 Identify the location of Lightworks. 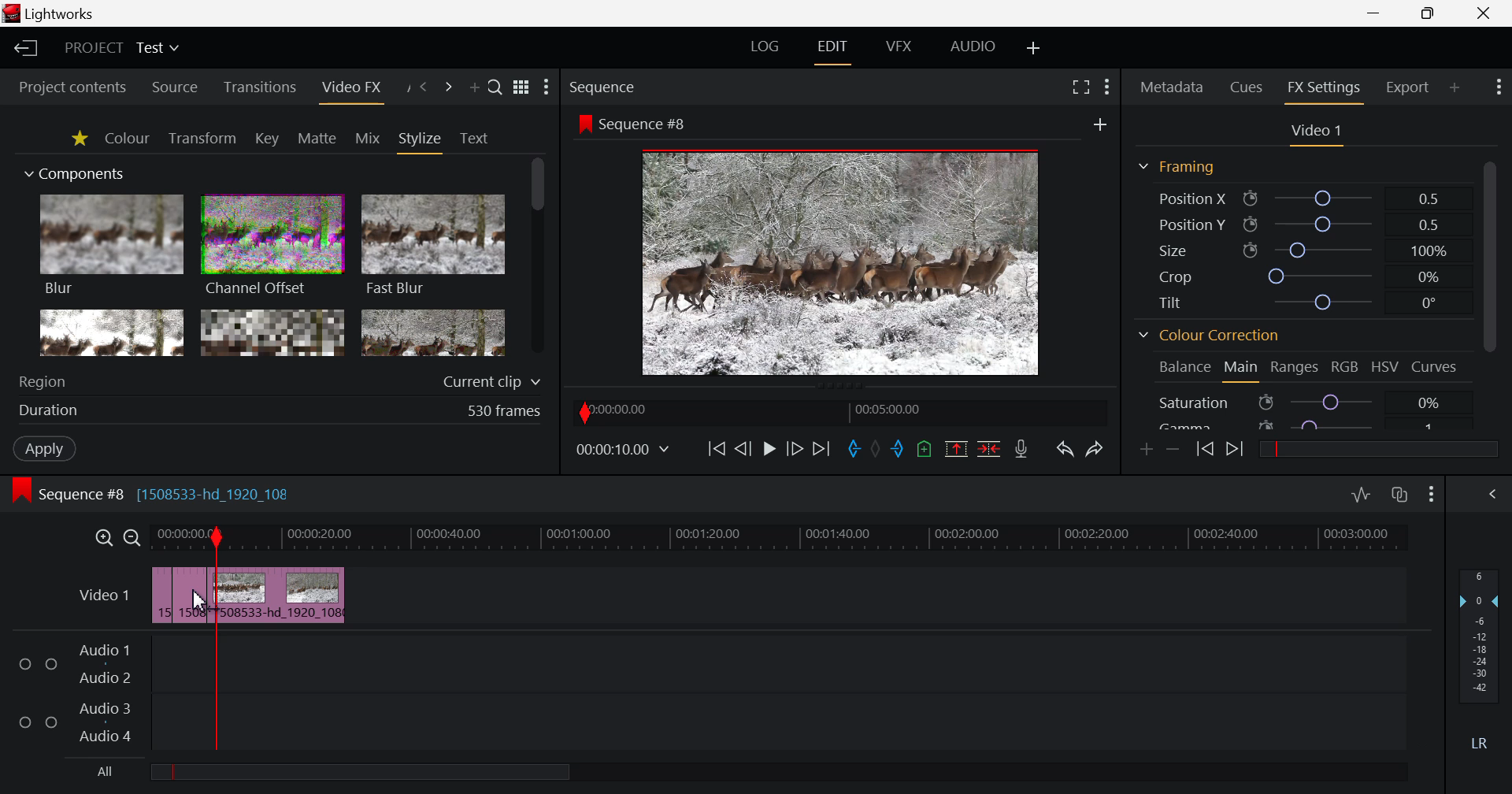
(52, 13).